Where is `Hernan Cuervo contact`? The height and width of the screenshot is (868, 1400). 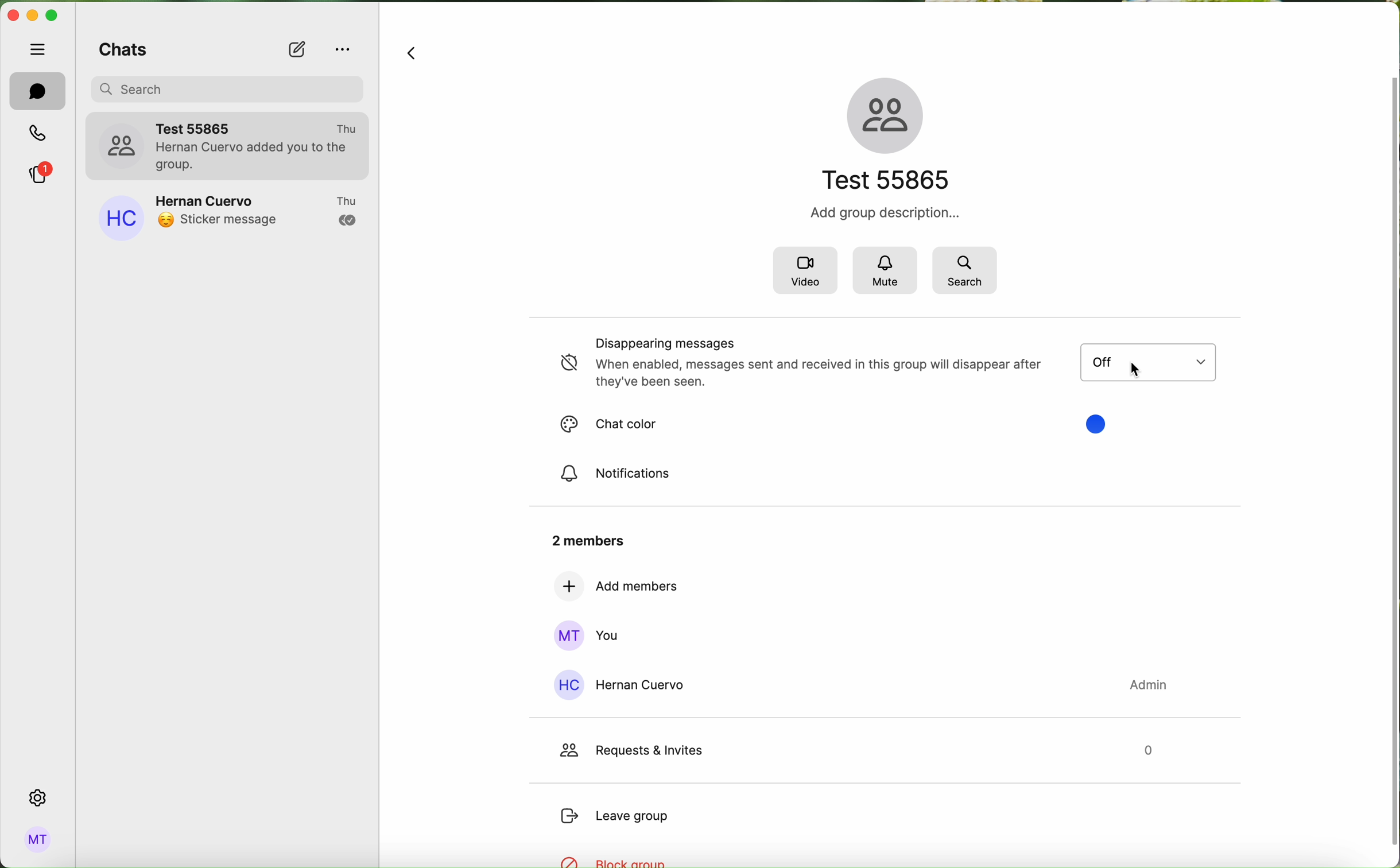 Hernan Cuervo contact is located at coordinates (227, 215).